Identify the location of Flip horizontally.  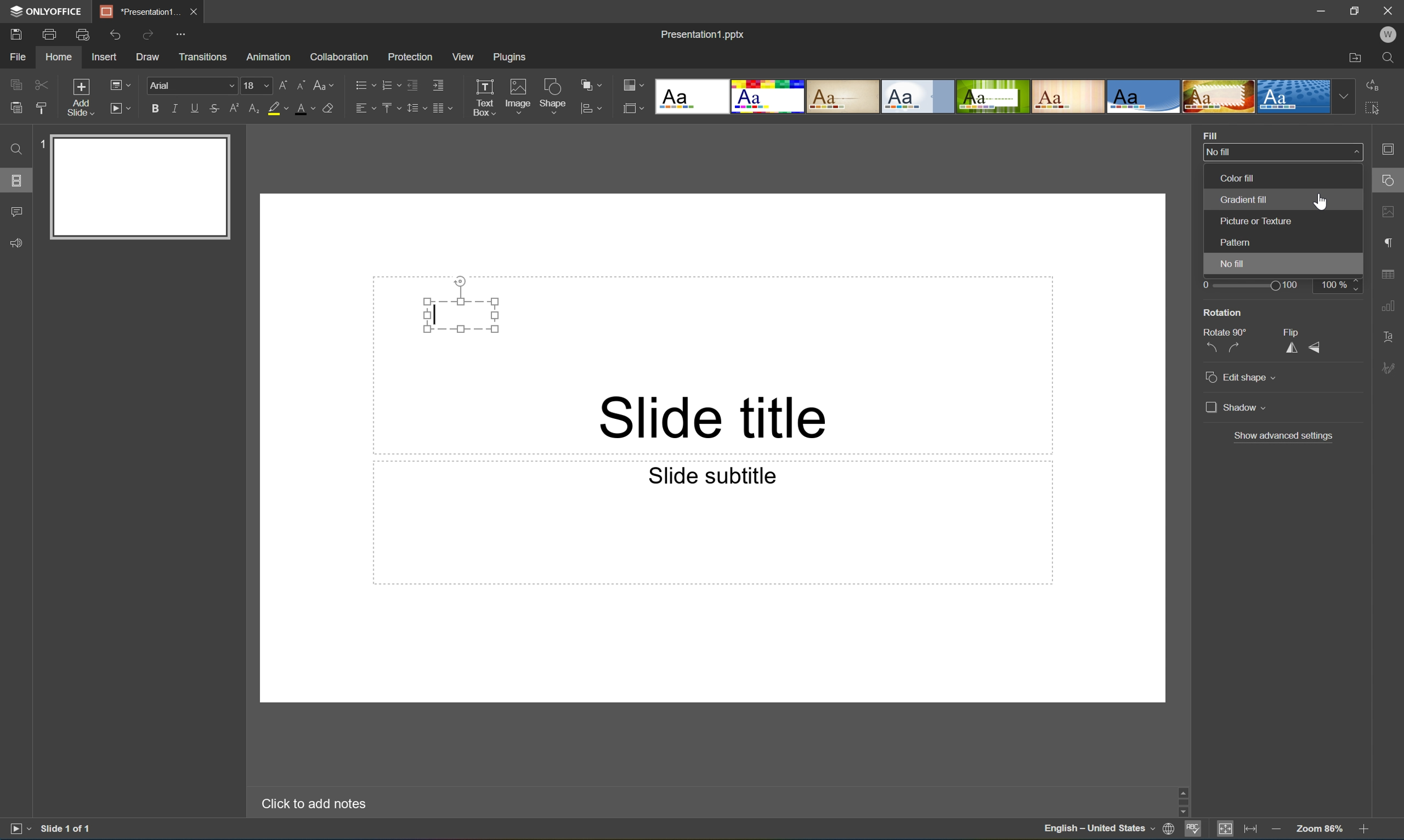
(1291, 349).